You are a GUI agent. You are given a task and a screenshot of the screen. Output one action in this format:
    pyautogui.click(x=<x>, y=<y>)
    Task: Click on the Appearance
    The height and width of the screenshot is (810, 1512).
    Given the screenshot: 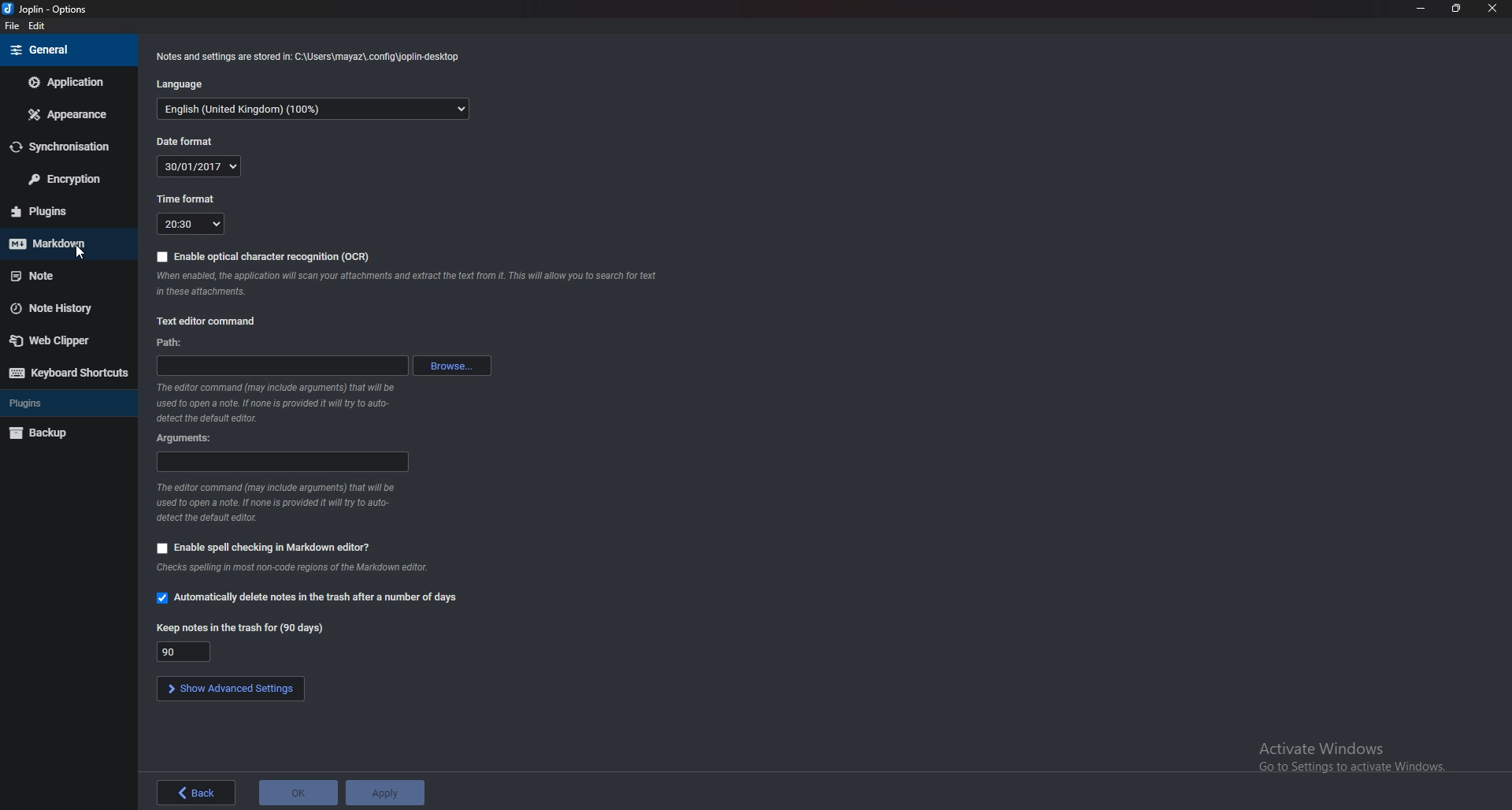 What is the action you would take?
    pyautogui.click(x=67, y=113)
    